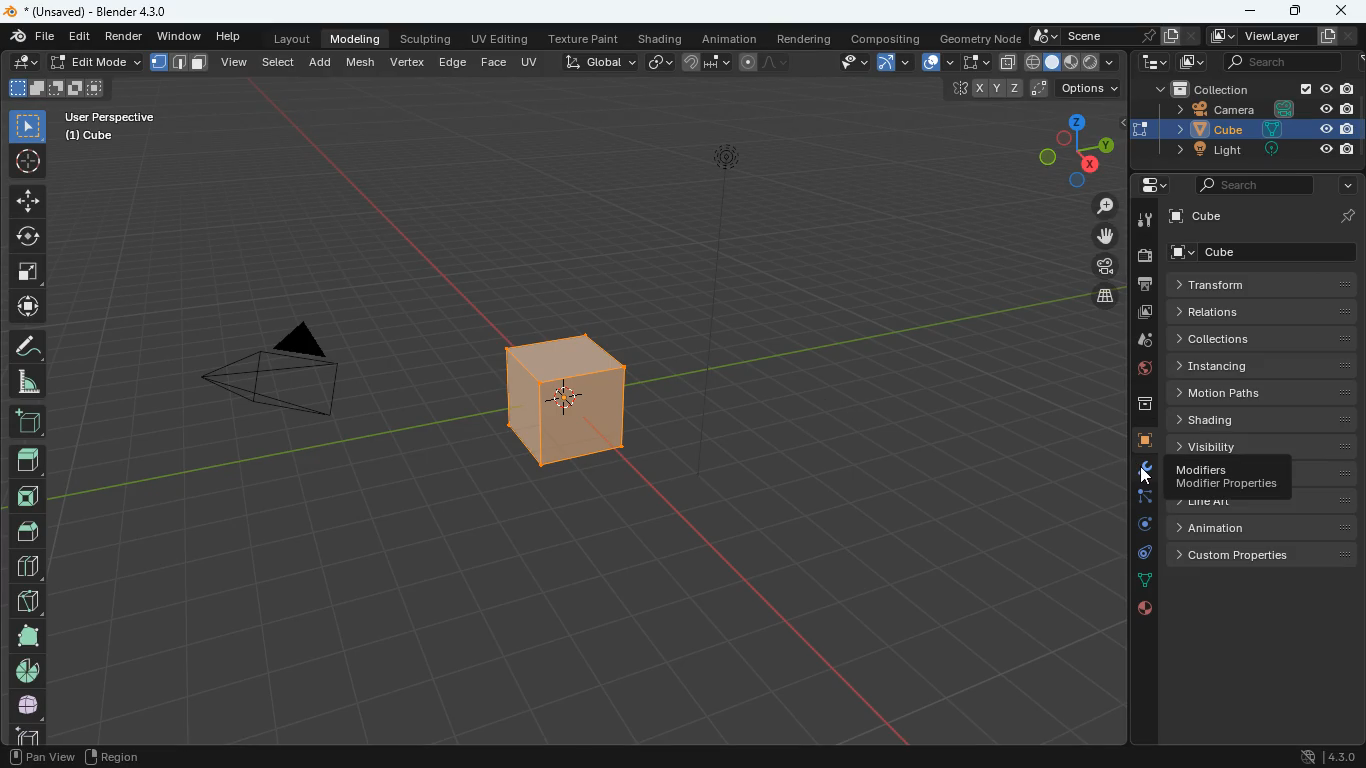 The width and height of the screenshot is (1366, 768). I want to click on vertex, so click(409, 63).